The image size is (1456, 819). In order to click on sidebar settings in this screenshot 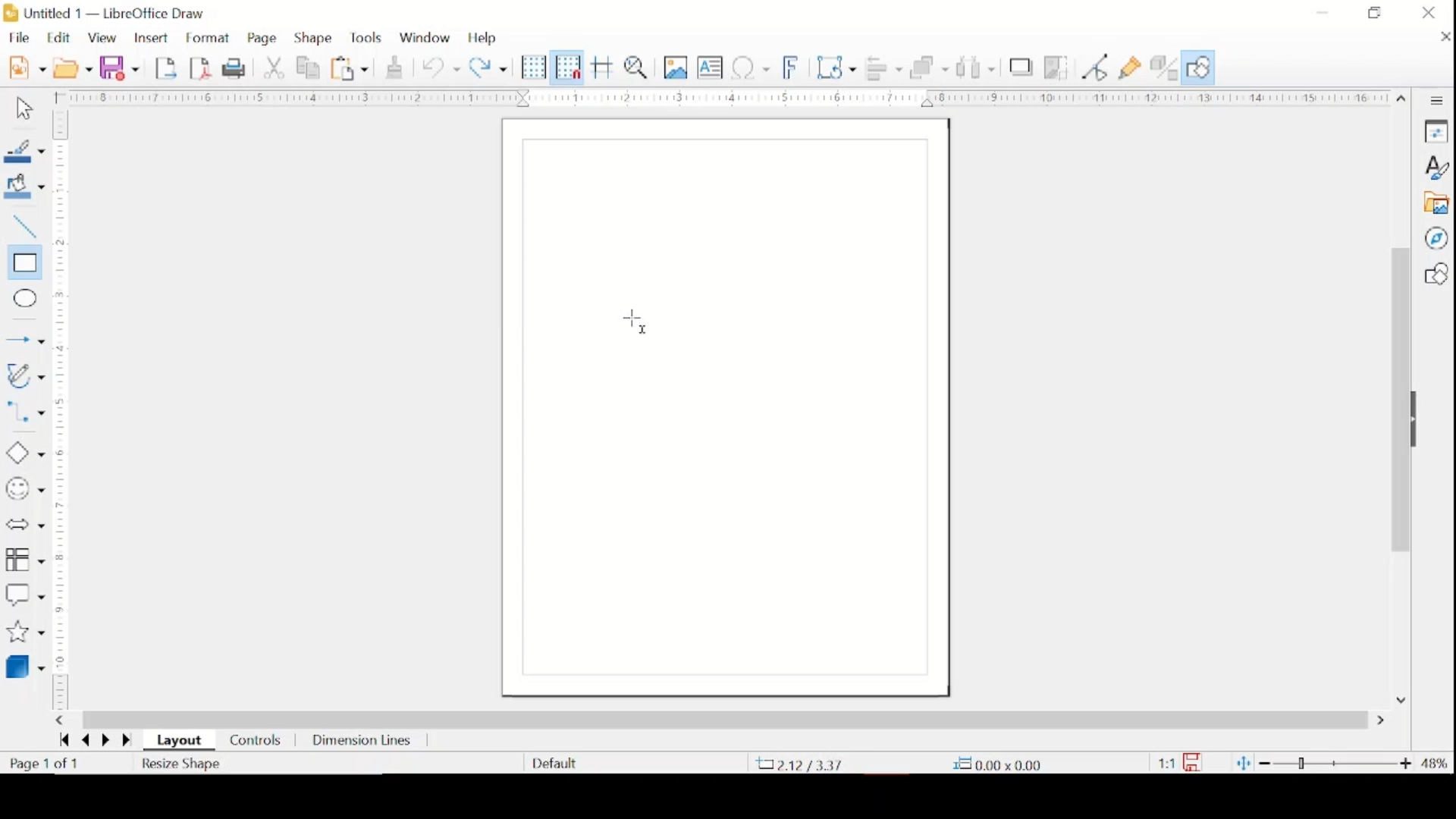, I will do `click(1437, 101)`.